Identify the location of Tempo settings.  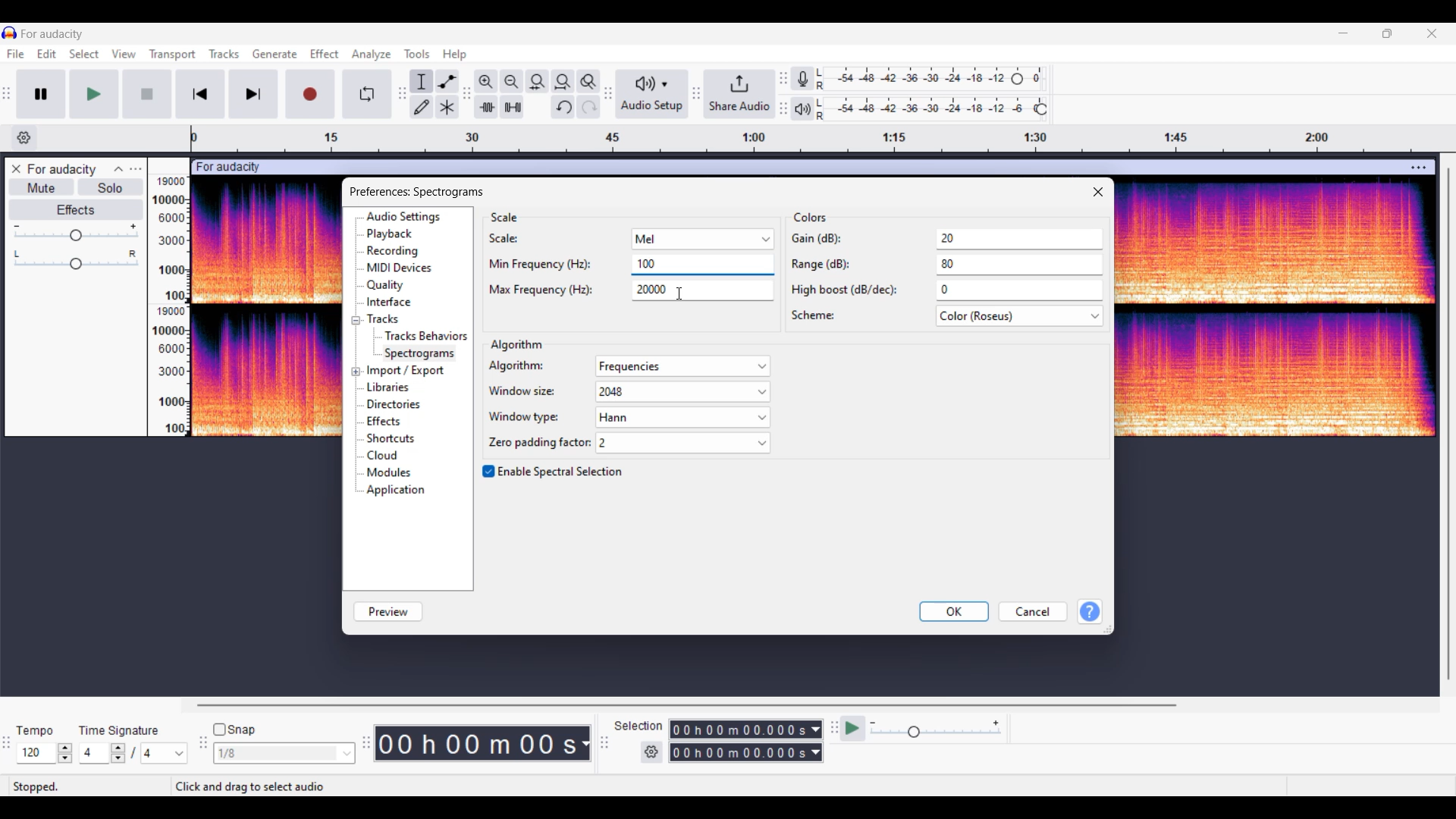
(45, 753).